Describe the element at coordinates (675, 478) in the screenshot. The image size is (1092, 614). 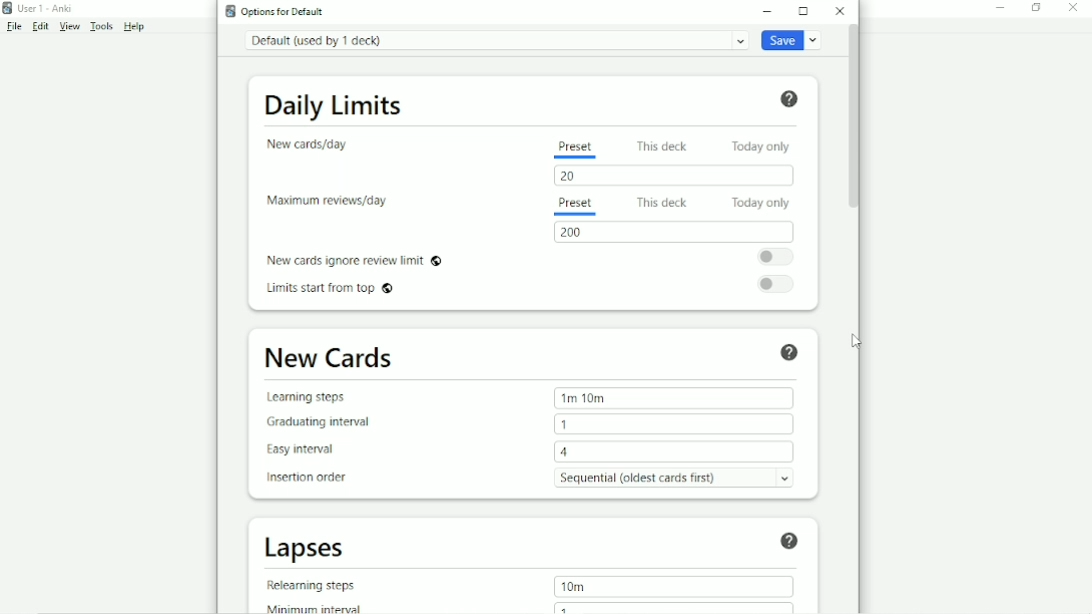
I see `Sequential (oldest cards first)` at that location.